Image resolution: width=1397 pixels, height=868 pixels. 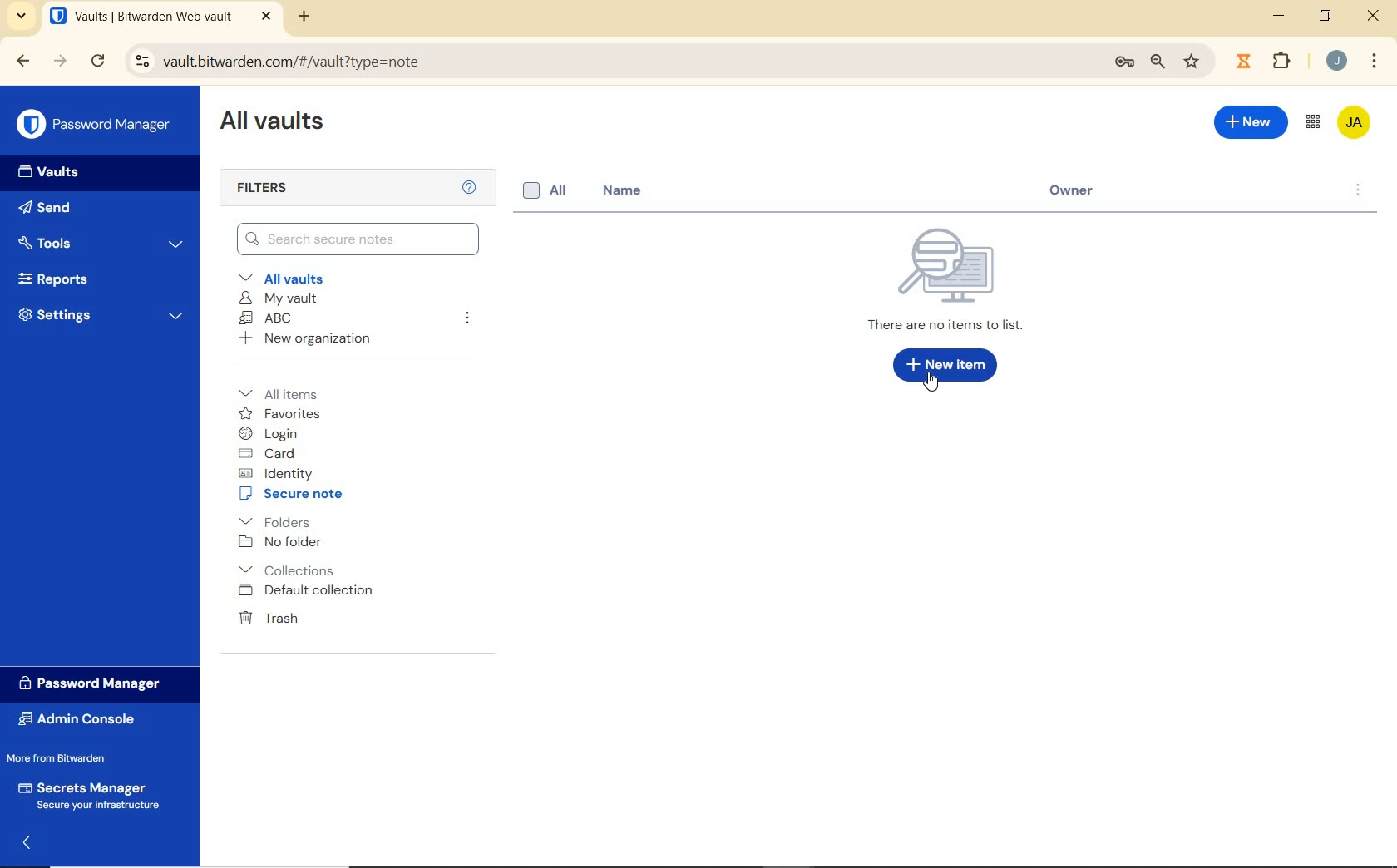 I want to click on Search Vault, so click(x=358, y=240).